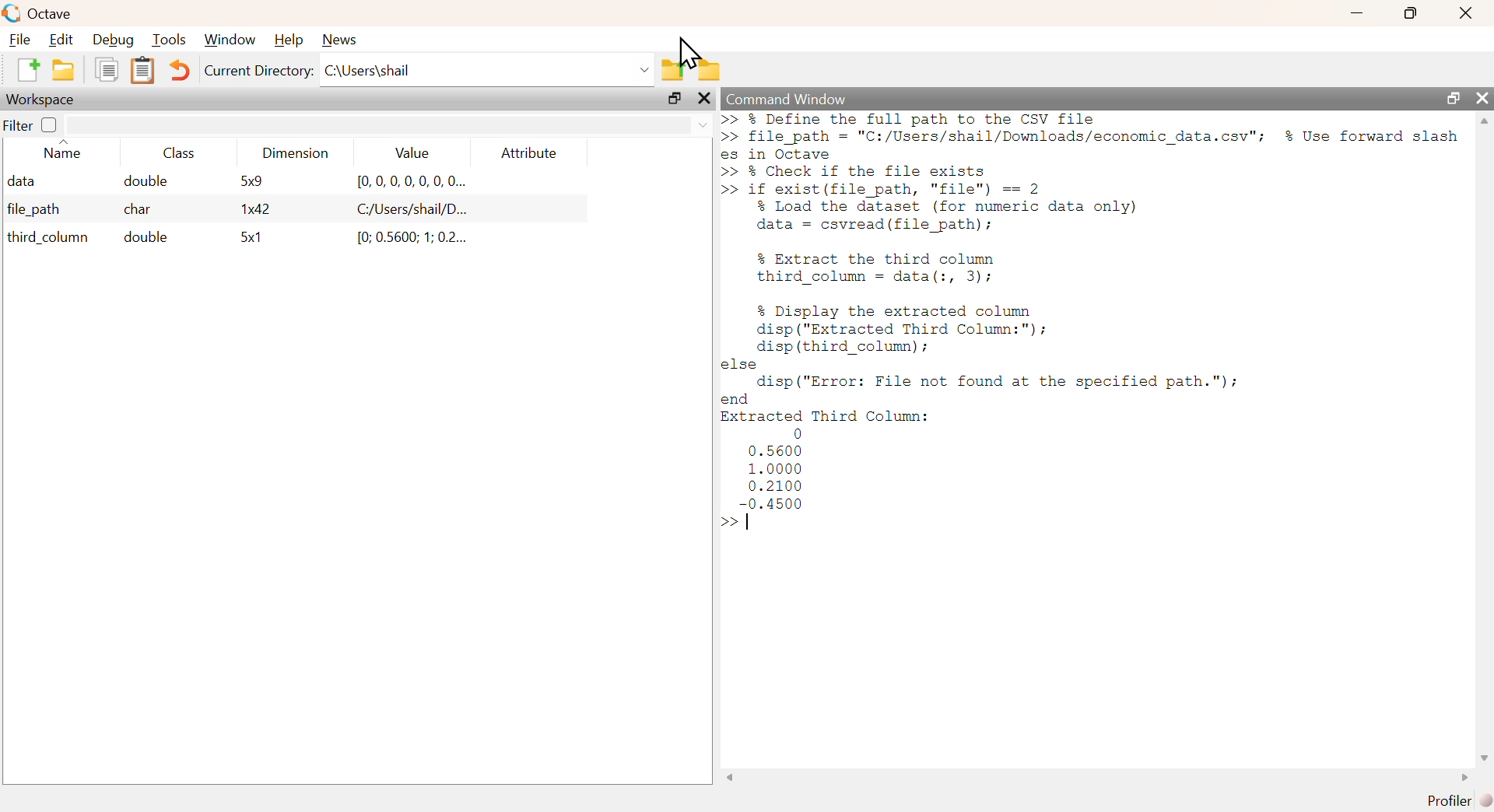  Describe the element at coordinates (145, 71) in the screenshot. I see `document clipboard` at that location.